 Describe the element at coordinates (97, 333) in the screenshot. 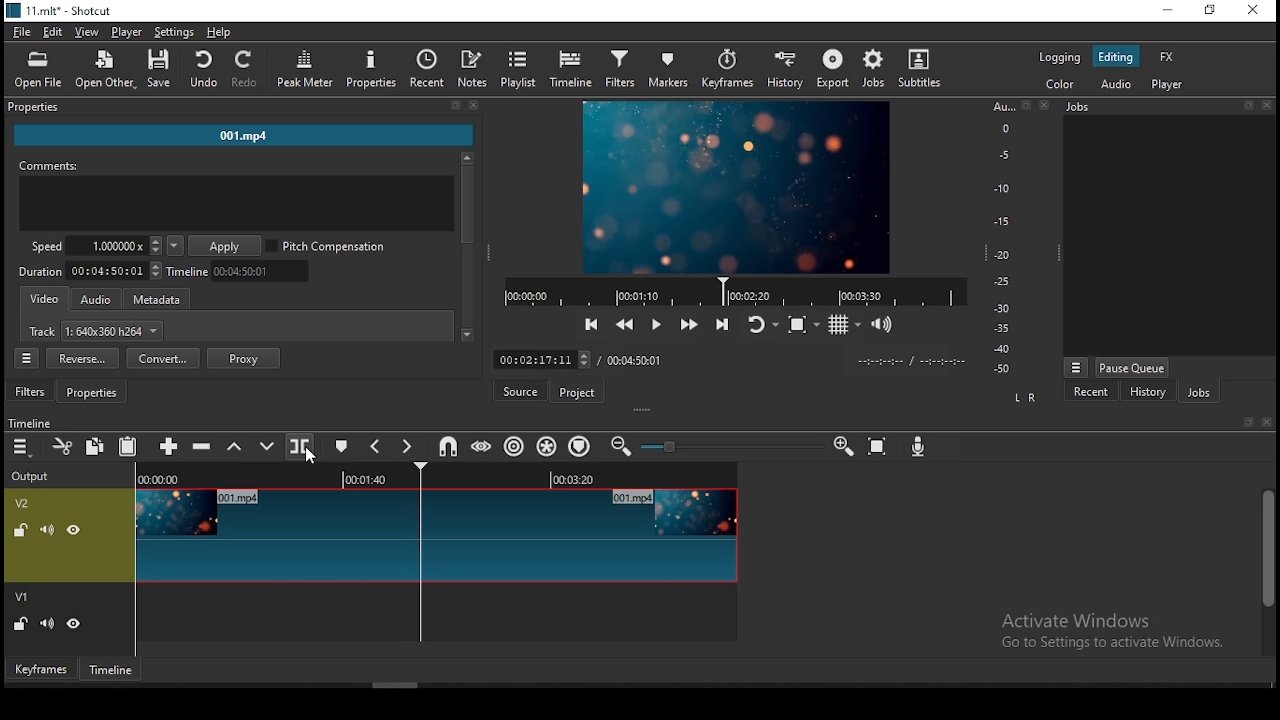

I see `track` at that location.